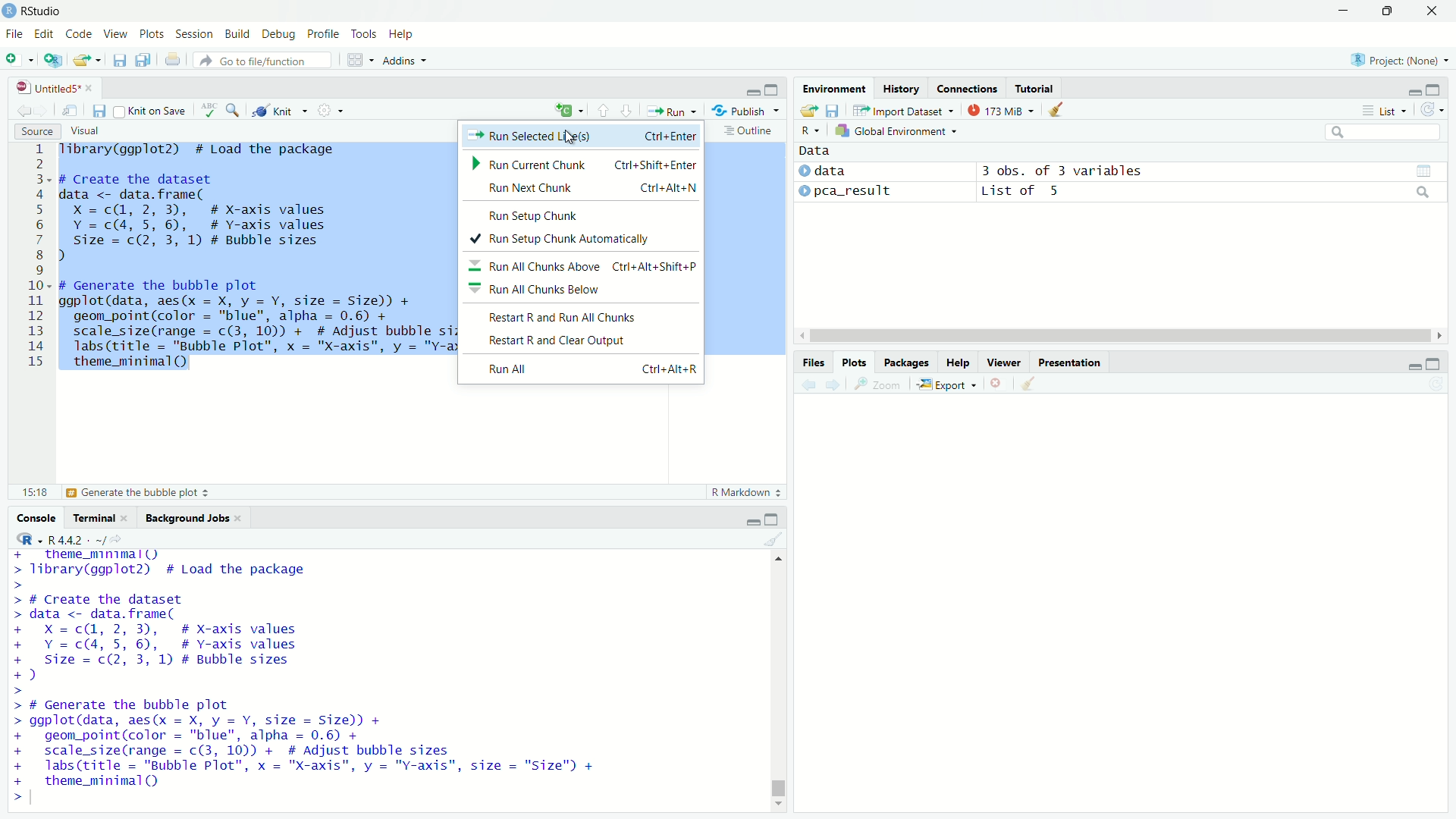 The height and width of the screenshot is (819, 1456). Describe the element at coordinates (947, 385) in the screenshot. I see `export` at that location.